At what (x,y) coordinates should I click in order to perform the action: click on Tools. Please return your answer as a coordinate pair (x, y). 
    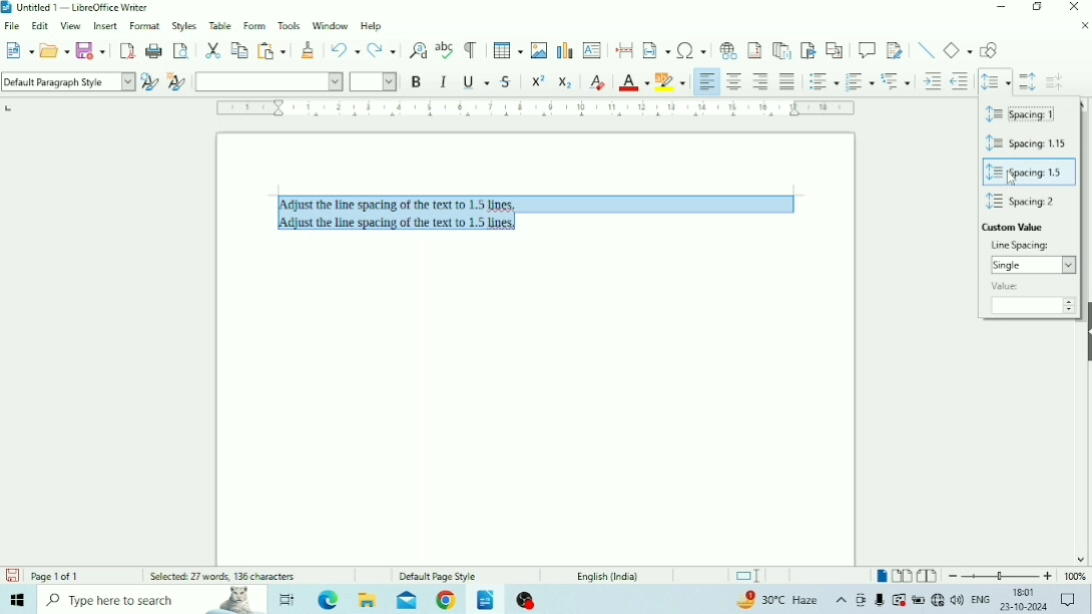
    Looking at the image, I should click on (291, 24).